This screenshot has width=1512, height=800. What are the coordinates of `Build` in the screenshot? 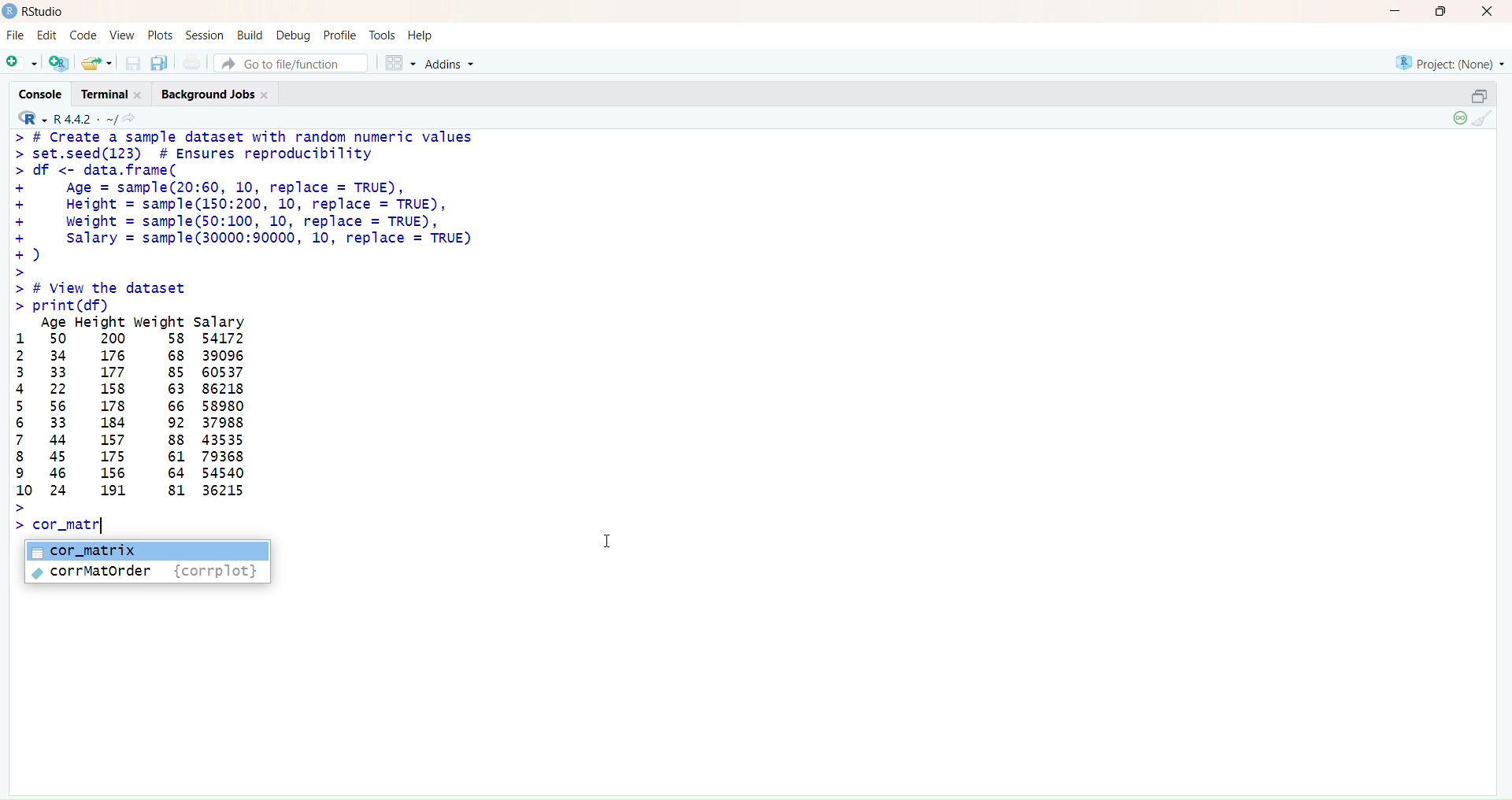 It's located at (250, 34).